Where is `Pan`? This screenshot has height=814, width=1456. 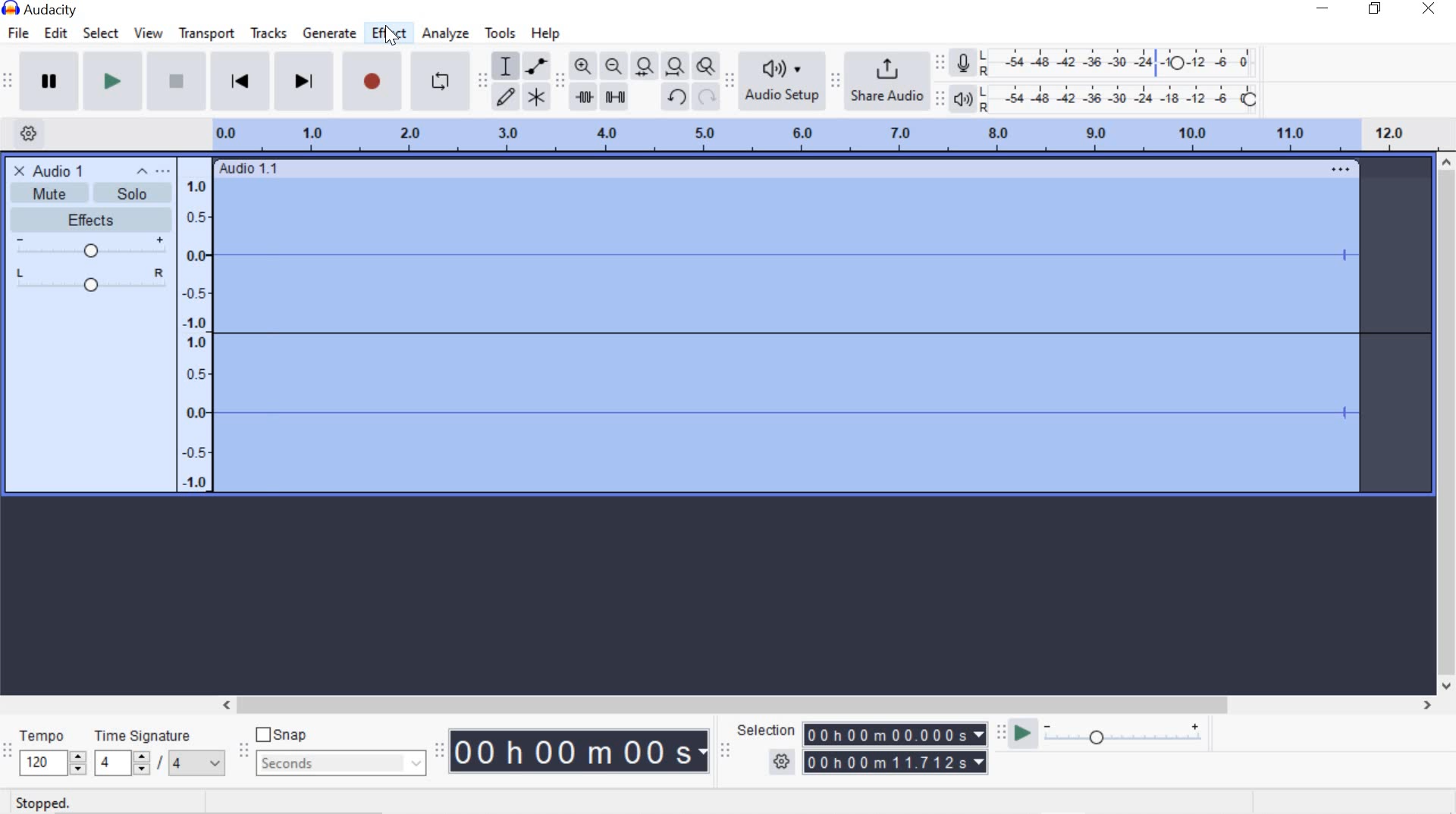
Pan is located at coordinates (89, 282).